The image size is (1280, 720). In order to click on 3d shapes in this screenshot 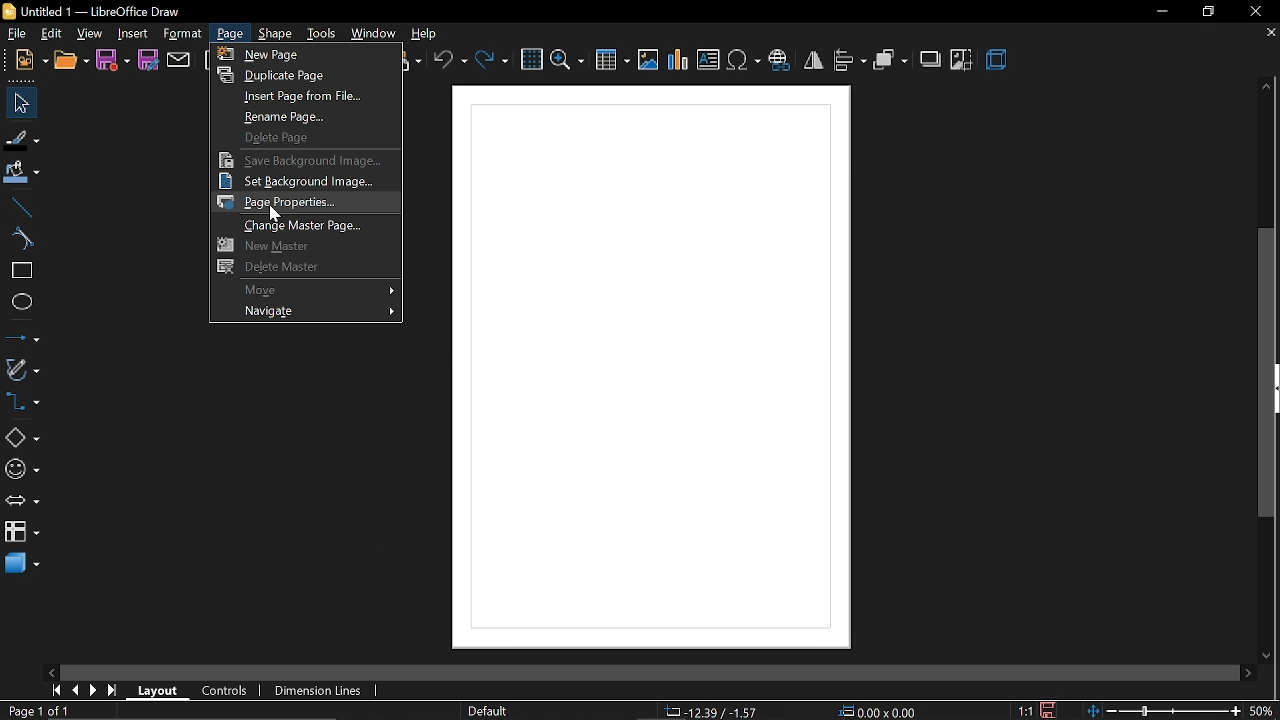, I will do `click(23, 566)`.